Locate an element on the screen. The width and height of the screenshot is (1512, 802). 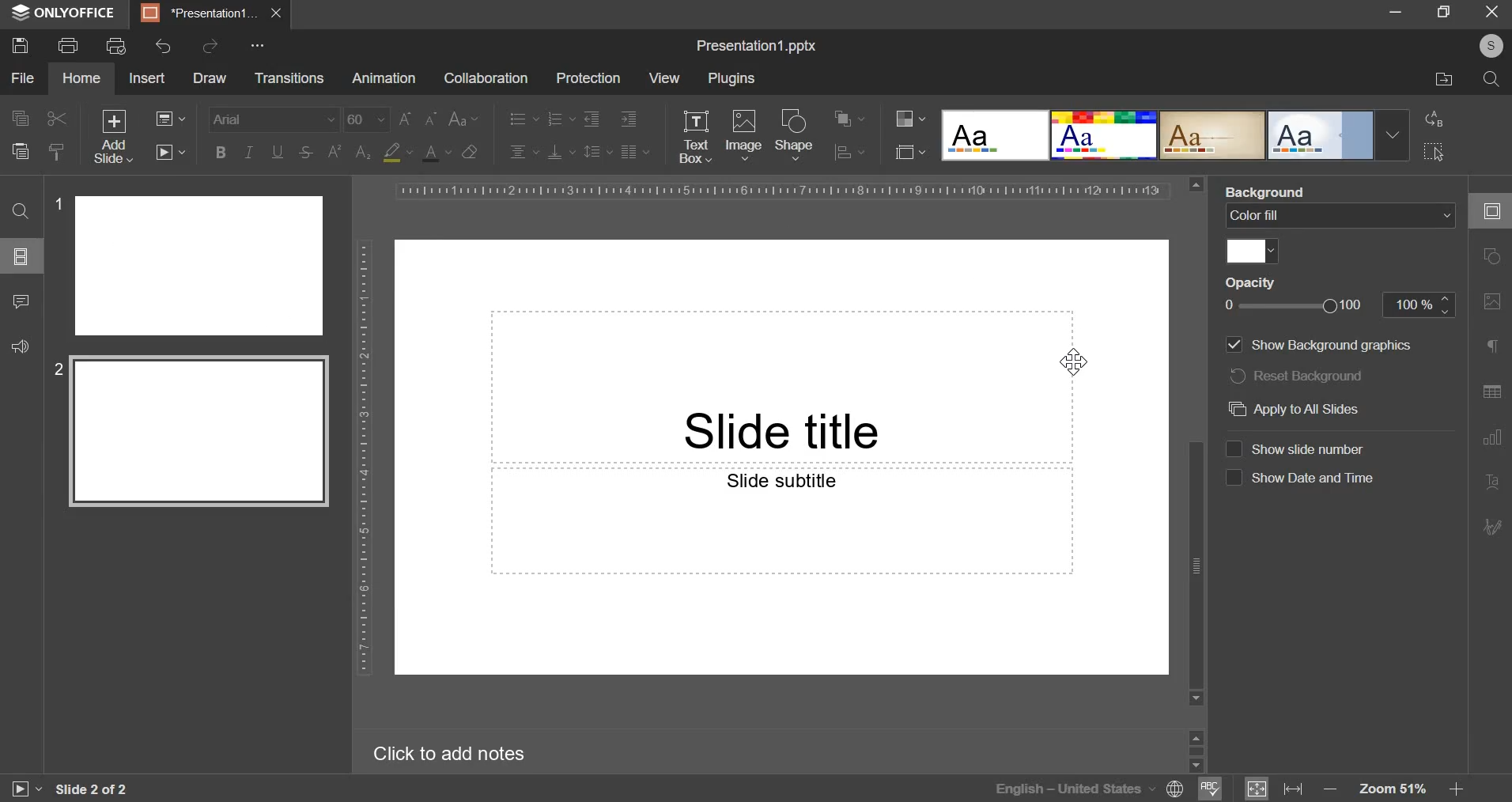
close is located at coordinates (276, 13).